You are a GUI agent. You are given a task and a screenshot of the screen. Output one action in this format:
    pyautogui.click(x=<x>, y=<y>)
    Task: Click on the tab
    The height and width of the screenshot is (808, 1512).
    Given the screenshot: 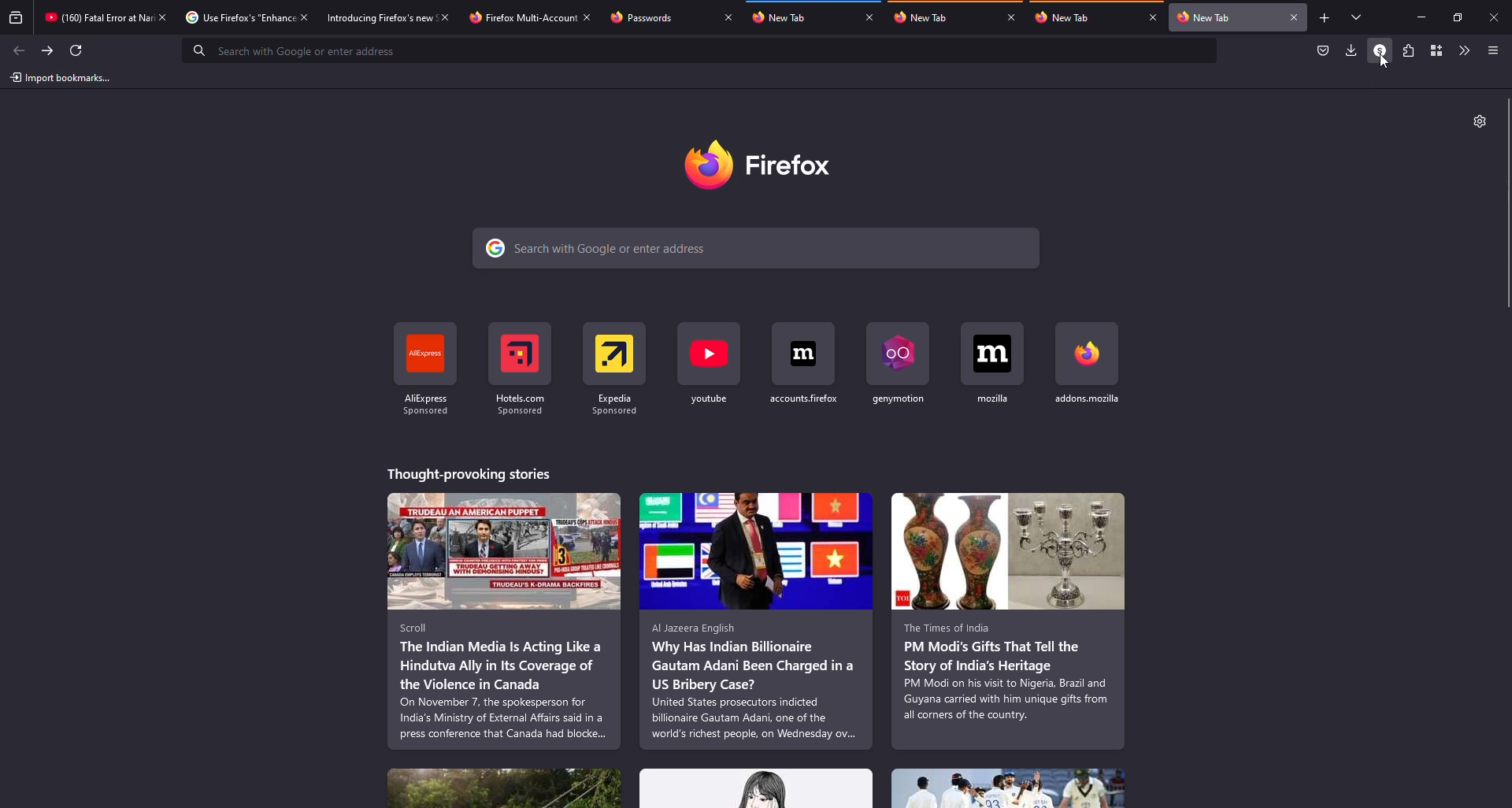 What is the action you would take?
    pyautogui.click(x=86, y=16)
    